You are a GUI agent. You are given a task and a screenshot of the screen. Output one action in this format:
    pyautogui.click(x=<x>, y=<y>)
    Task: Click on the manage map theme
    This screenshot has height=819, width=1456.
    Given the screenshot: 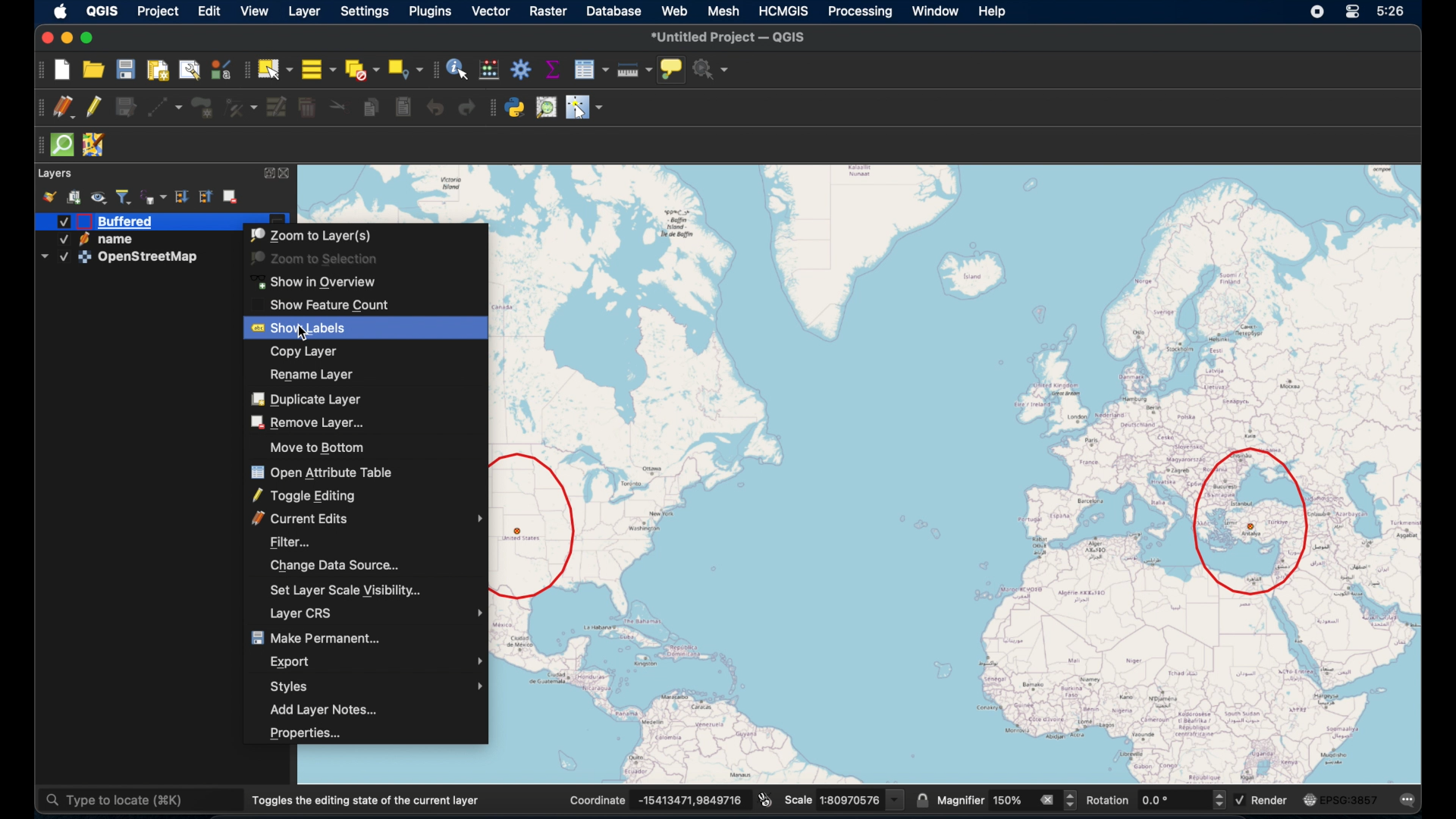 What is the action you would take?
    pyautogui.click(x=98, y=197)
    